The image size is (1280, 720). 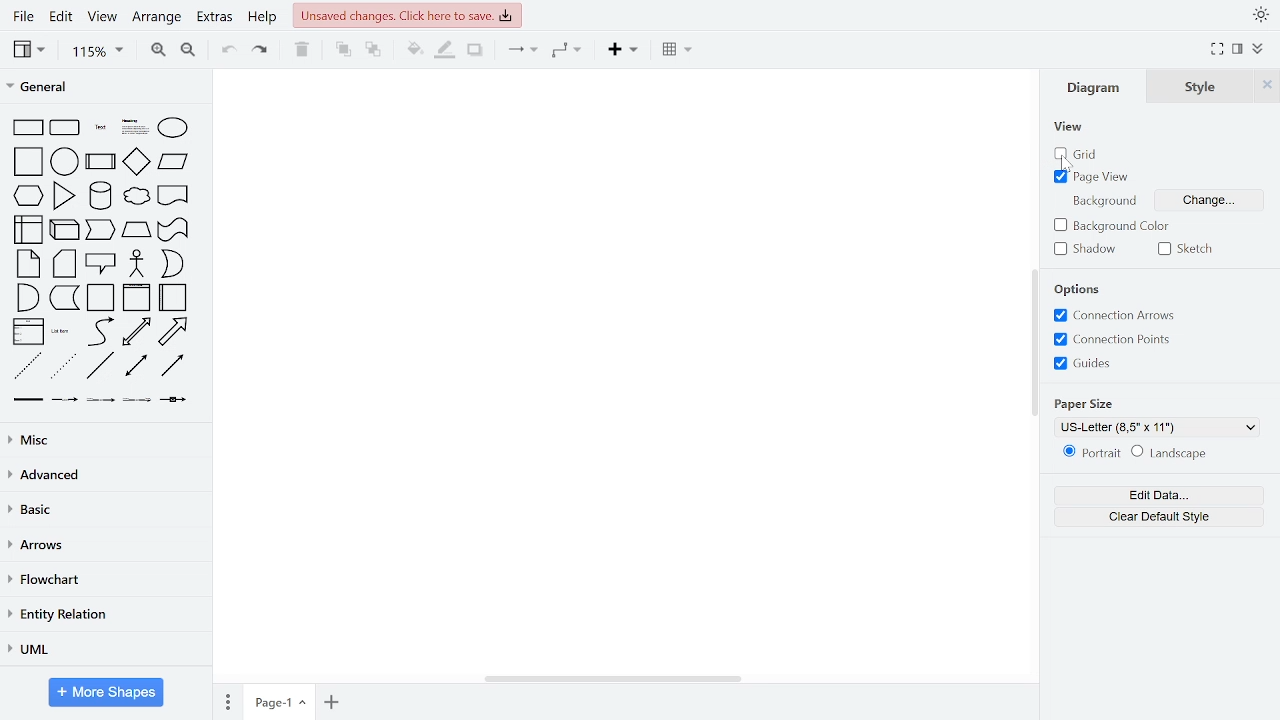 I want to click on arrows, so click(x=104, y=545).